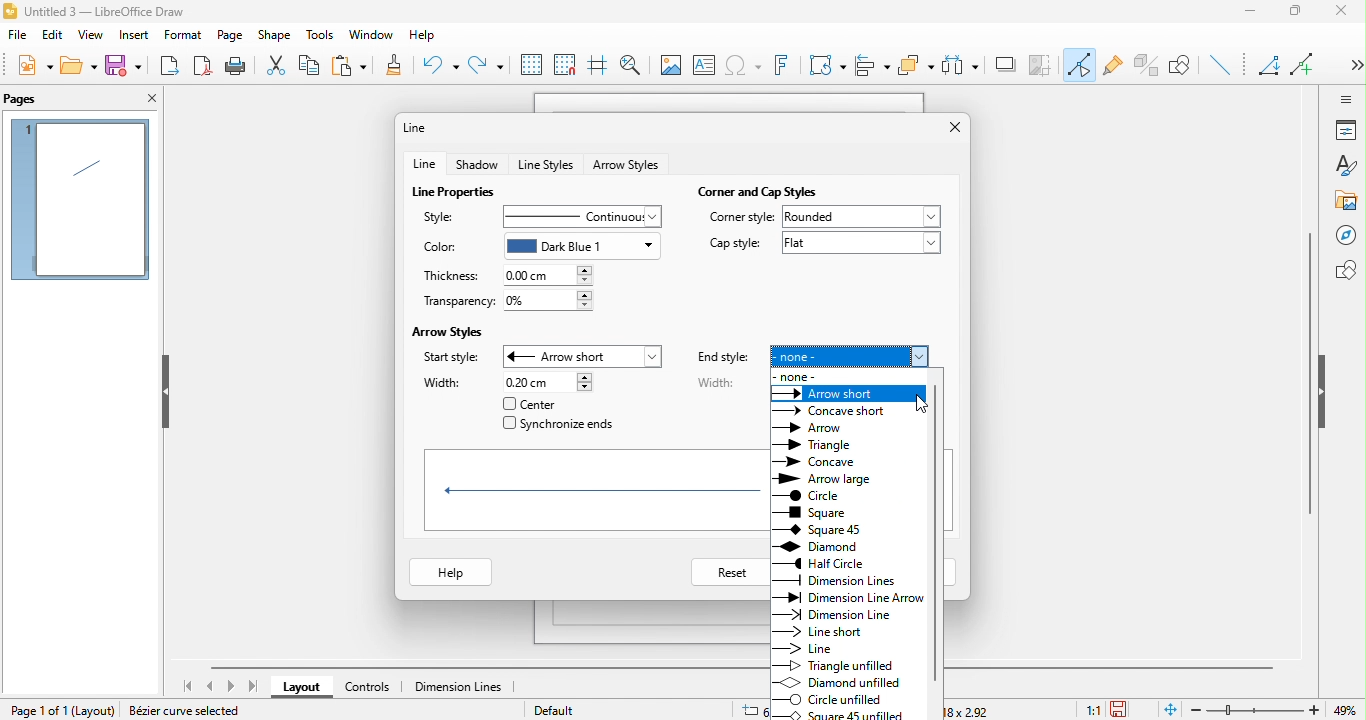 The image size is (1366, 720). Describe the element at coordinates (444, 215) in the screenshot. I see `style` at that location.